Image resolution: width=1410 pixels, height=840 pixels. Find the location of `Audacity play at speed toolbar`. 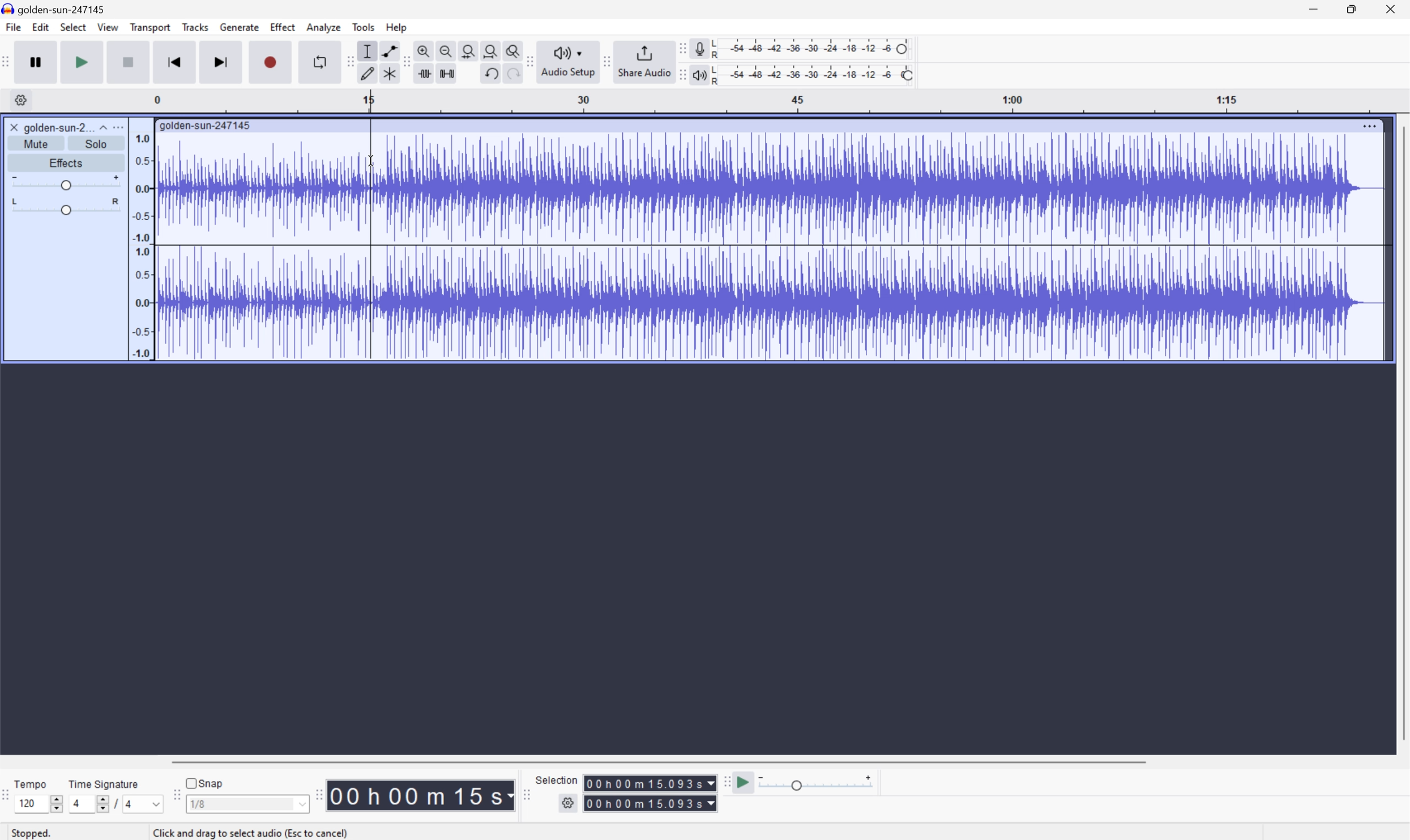

Audacity play at speed toolbar is located at coordinates (725, 782).